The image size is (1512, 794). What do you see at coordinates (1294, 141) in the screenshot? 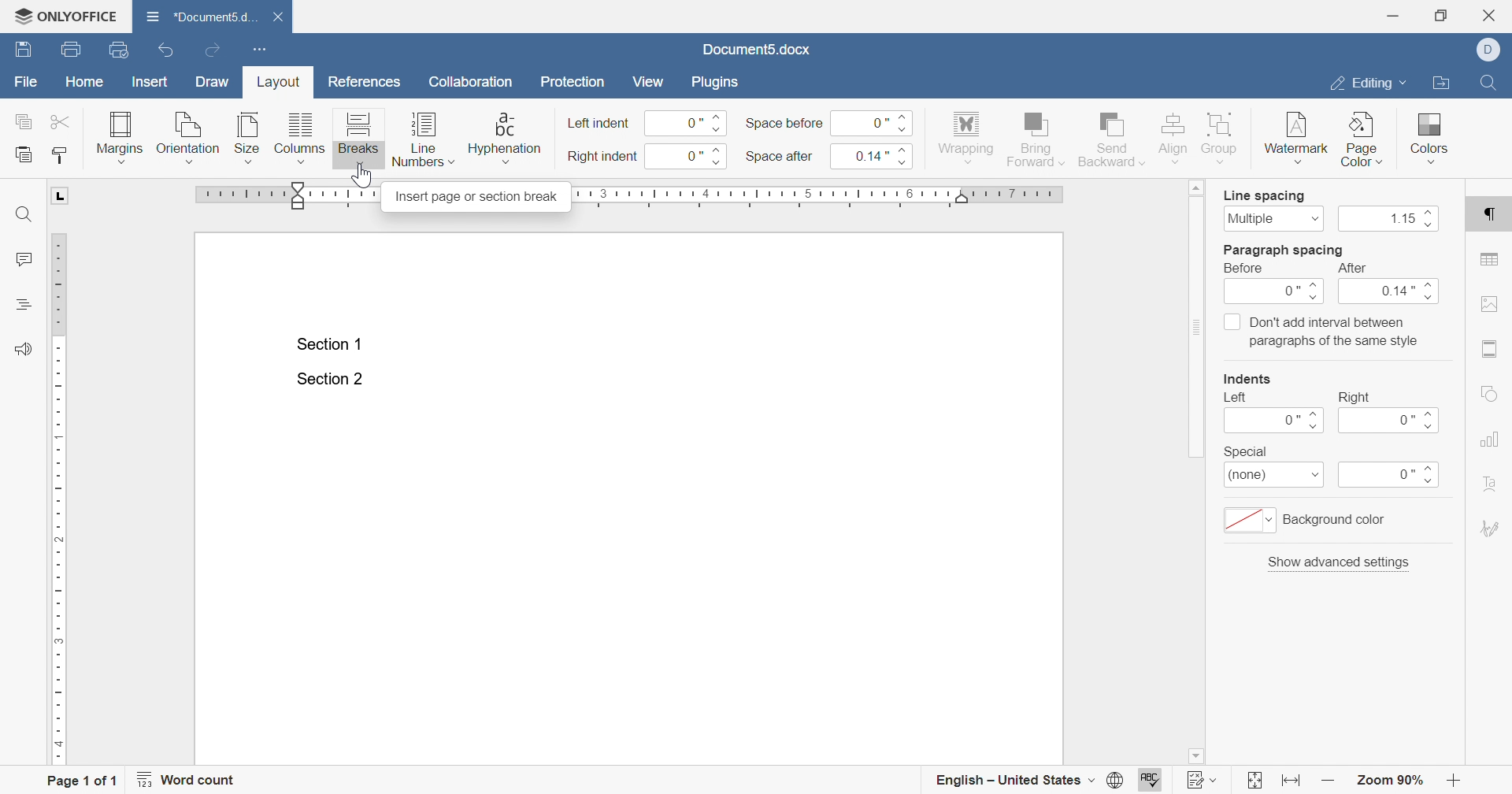
I see `watermark` at bounding box center [1294, 141].